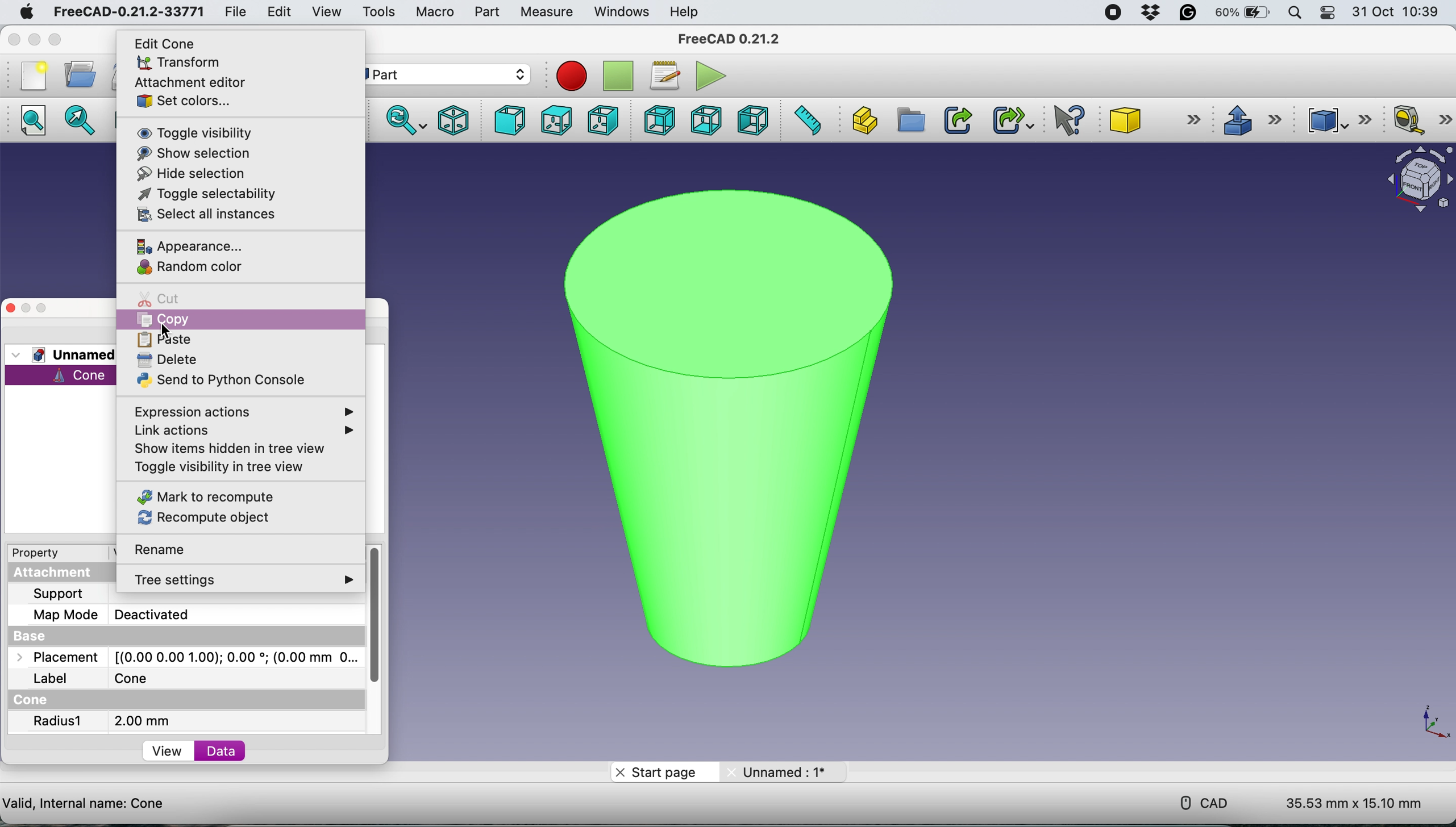 This screenshot has width=1456, height=827. I want to click on macros, so click(664, 73).